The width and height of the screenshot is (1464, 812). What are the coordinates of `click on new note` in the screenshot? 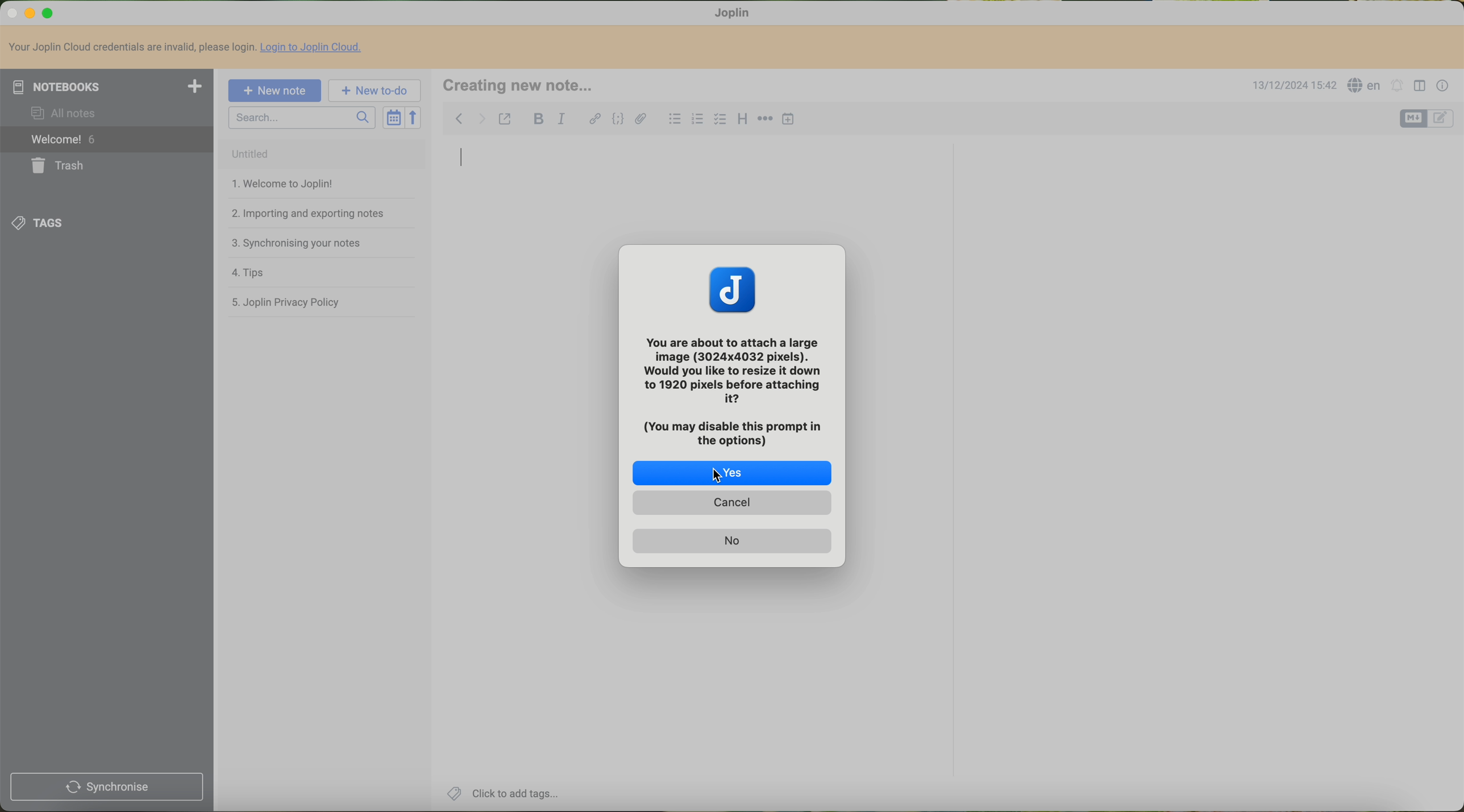 It's located at (276, 90).